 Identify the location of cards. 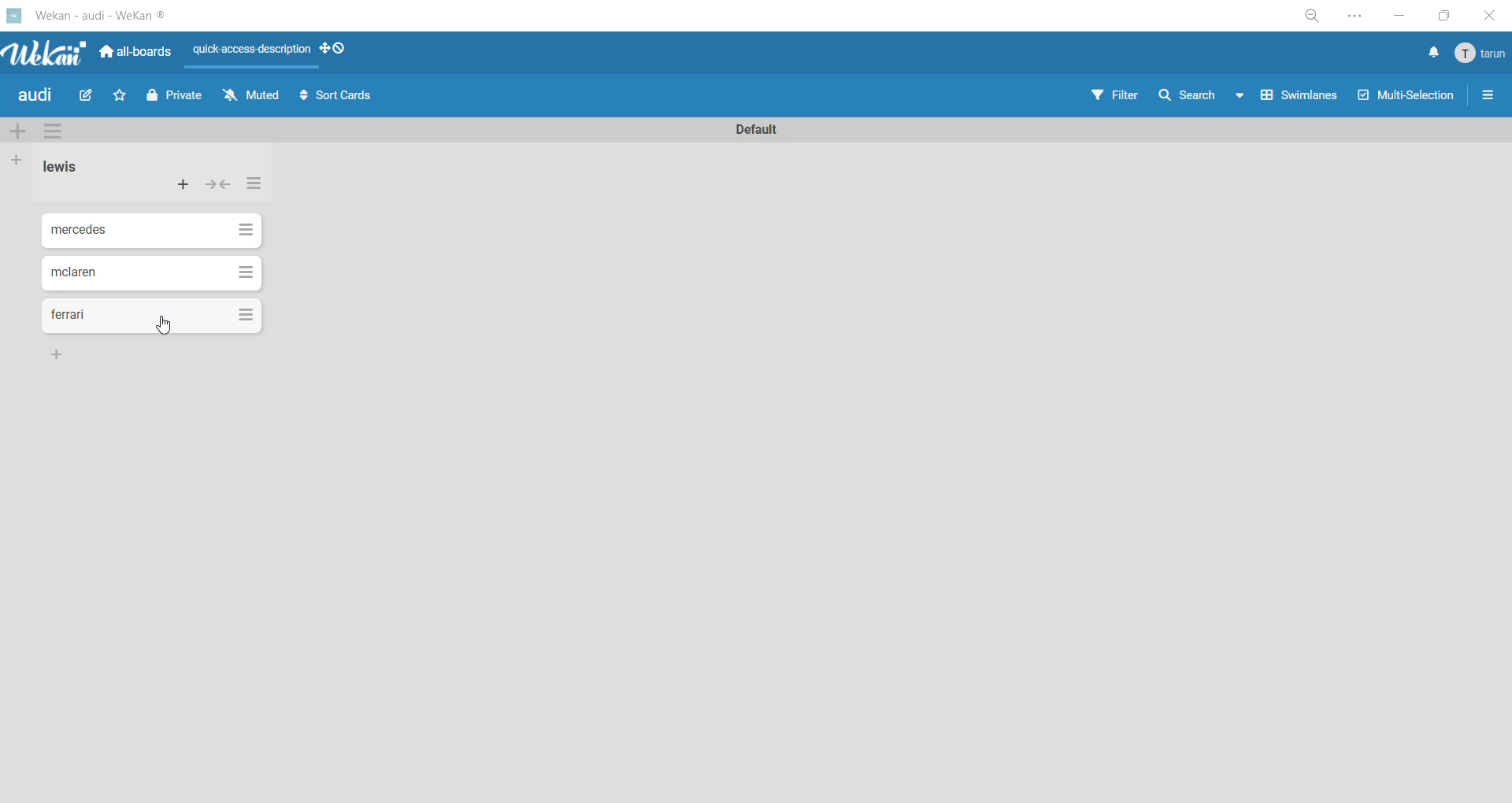
(154, 233).